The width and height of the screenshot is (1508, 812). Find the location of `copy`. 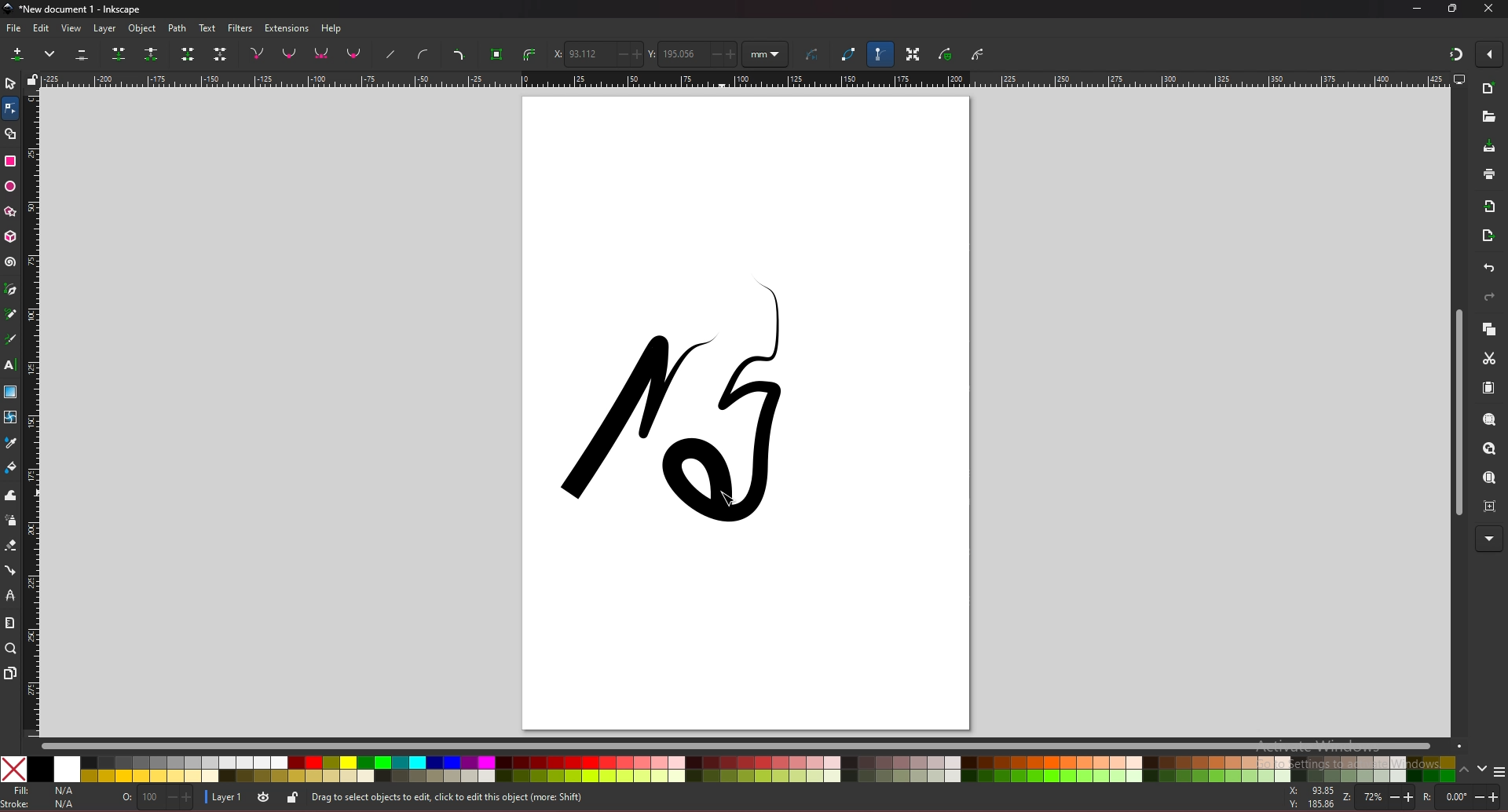

copy is located at coordinates (1488, 329).